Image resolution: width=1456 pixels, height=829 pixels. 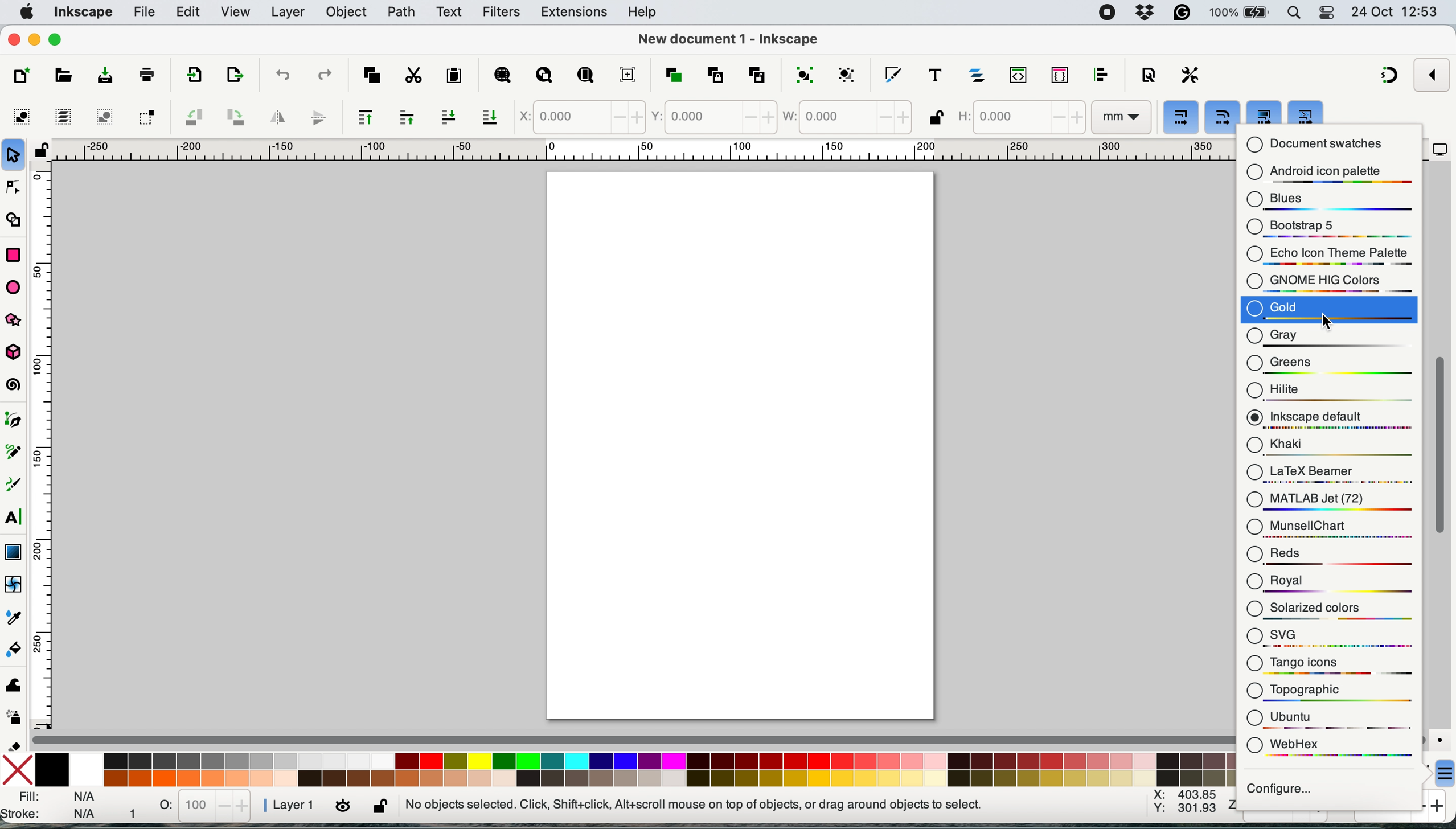 What do you see at coordinates (1149, 11) in the screenshot?
I see `dropbox` at bounding box center [1149, 11].